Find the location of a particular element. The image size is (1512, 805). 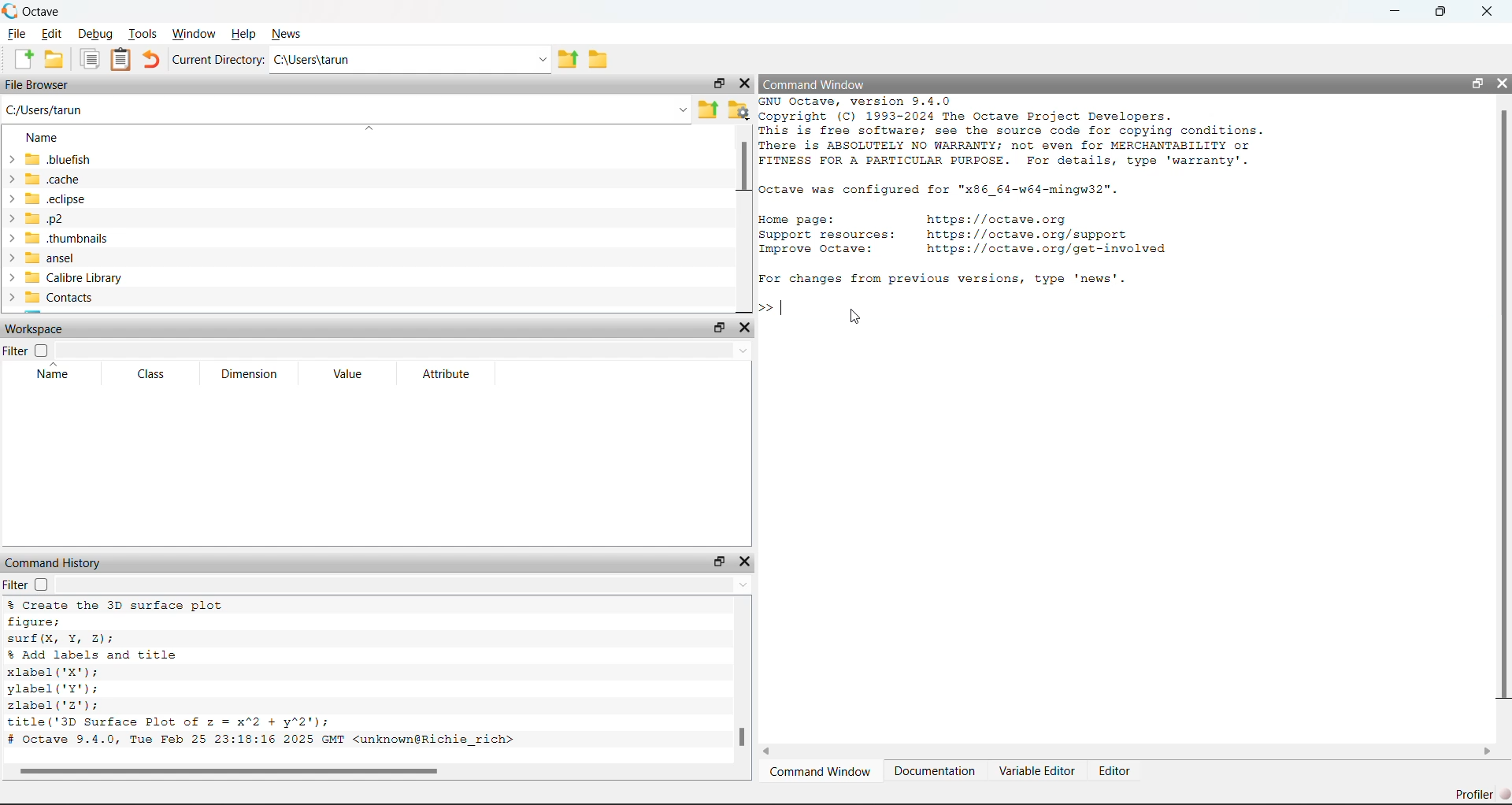

Close is located at coordinates (746, 328).